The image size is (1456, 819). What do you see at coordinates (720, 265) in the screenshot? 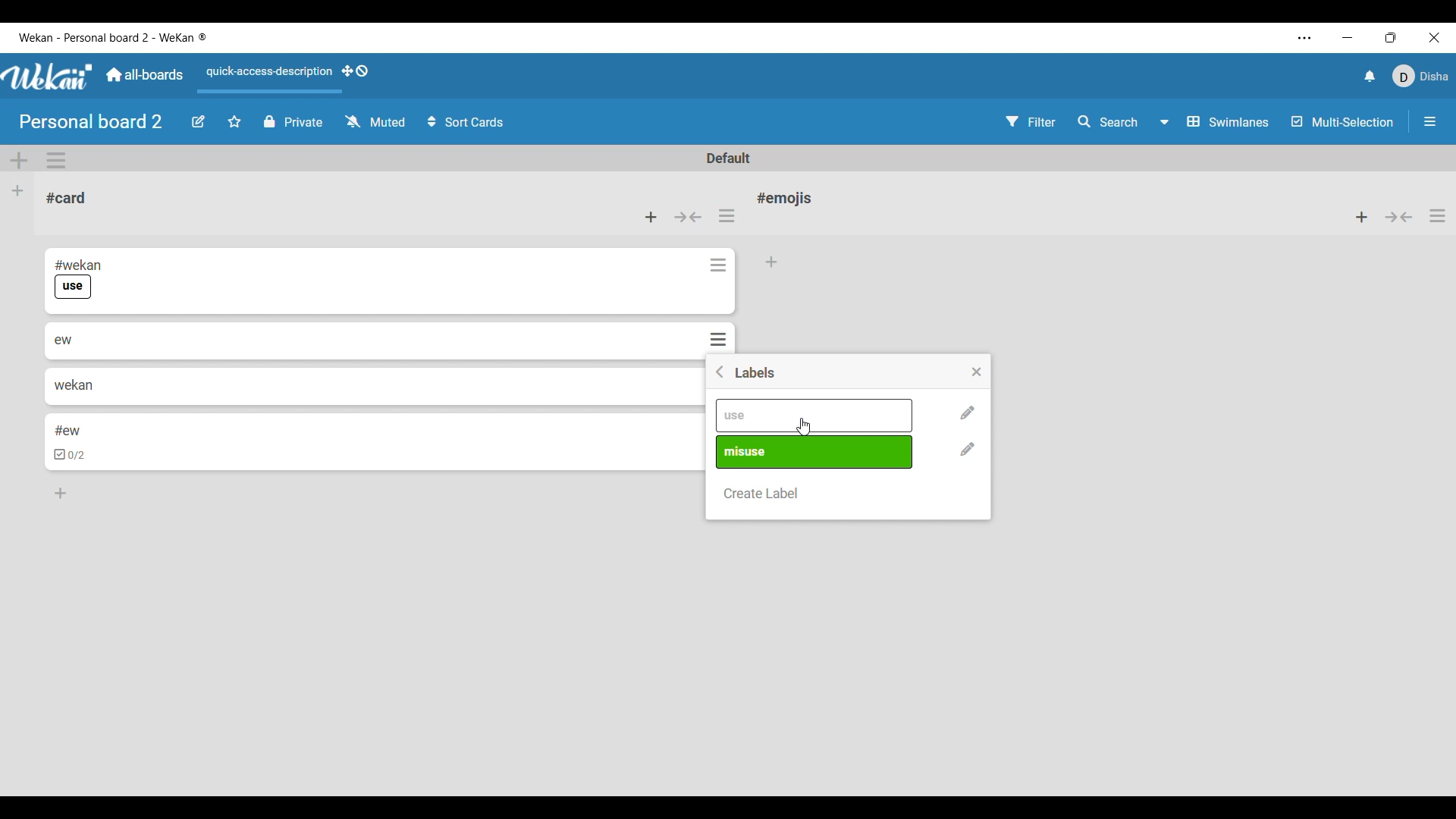
I see `Card actions for respective card` at bounding box center [720, 265].